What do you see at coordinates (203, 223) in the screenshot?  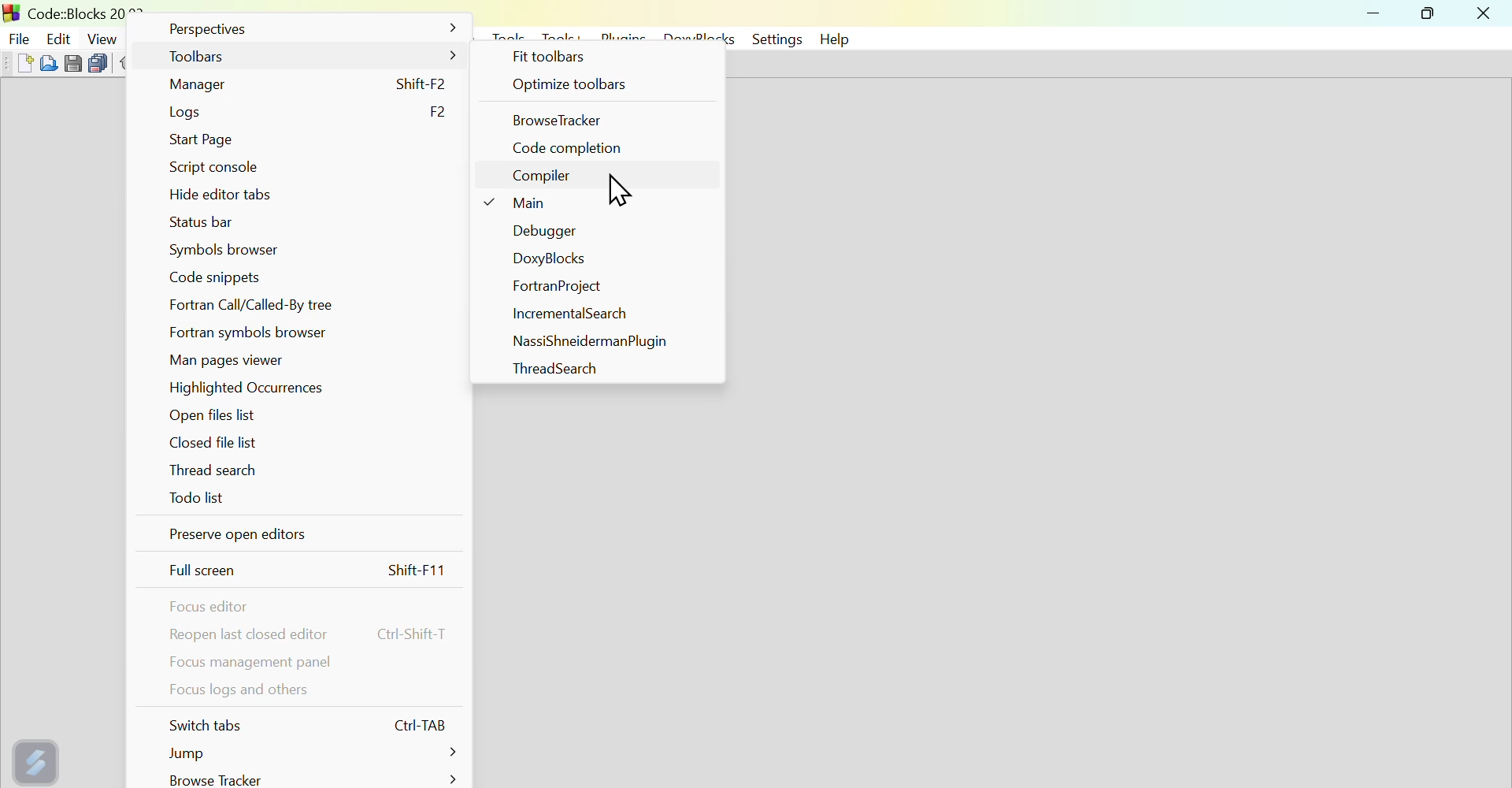 I see `Status bar` at bounding box center [203, 223].